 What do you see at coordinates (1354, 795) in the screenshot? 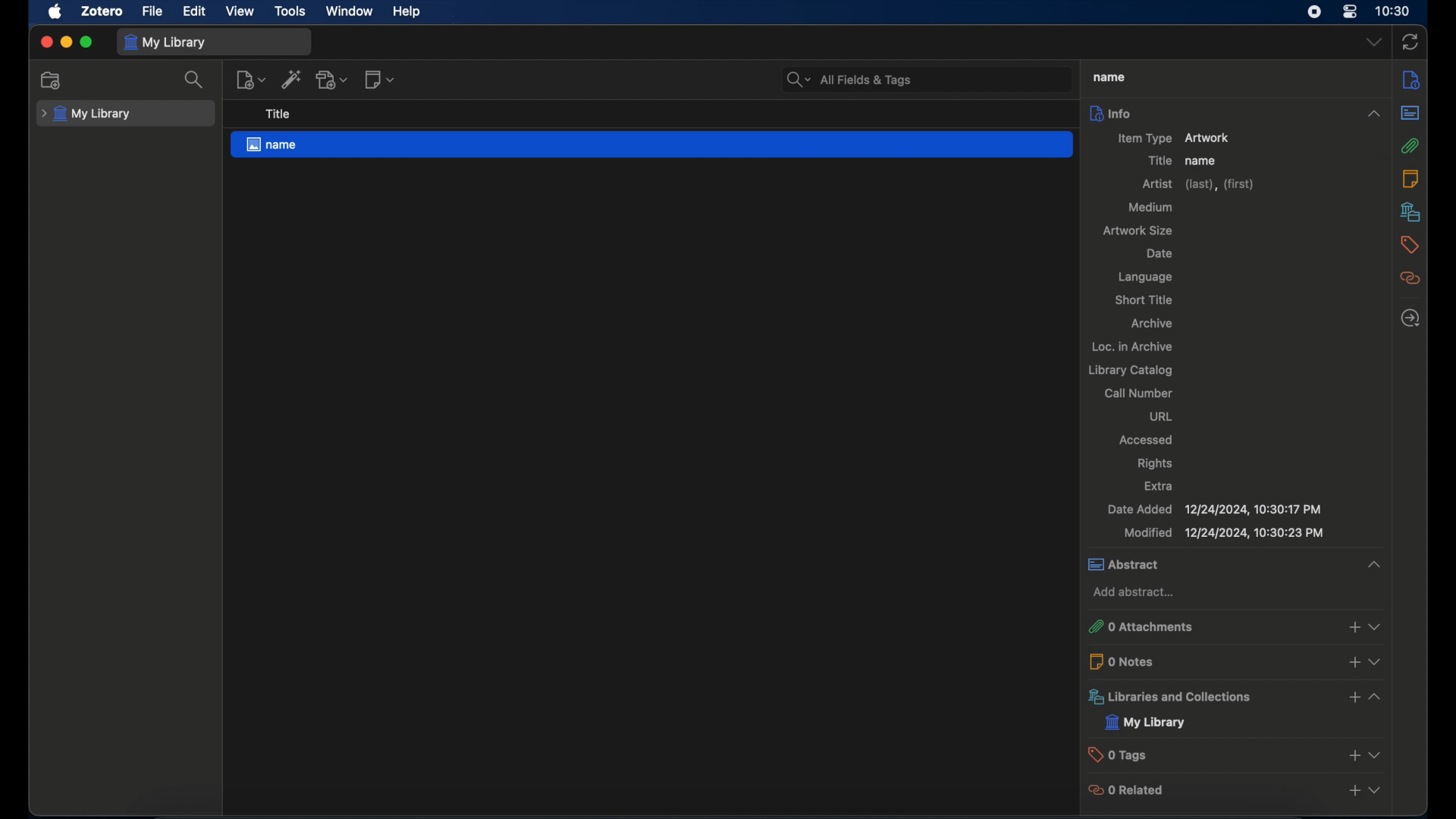
I see `add` at bounding box center [1354, 795].